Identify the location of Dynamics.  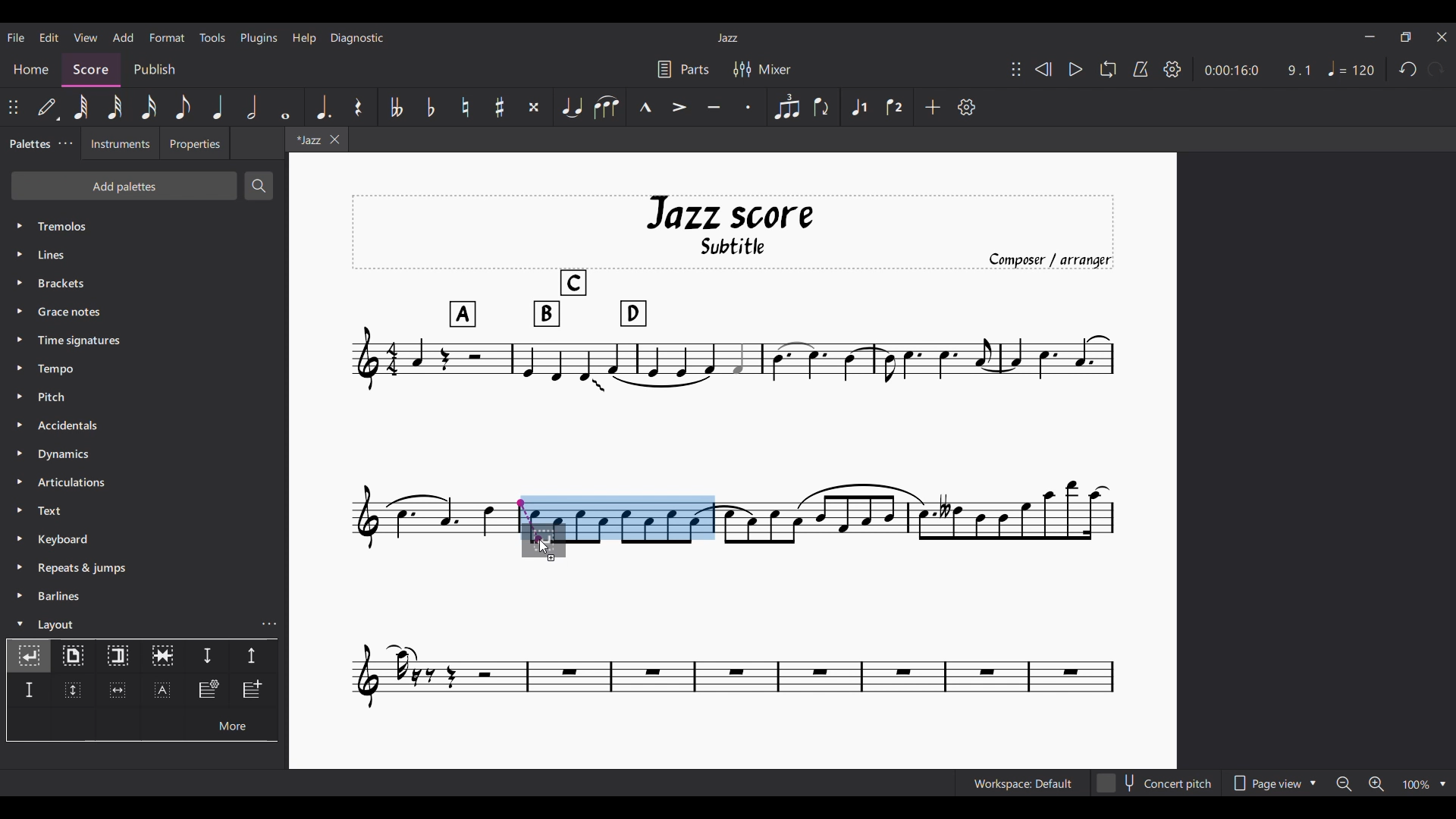
(144, 453).